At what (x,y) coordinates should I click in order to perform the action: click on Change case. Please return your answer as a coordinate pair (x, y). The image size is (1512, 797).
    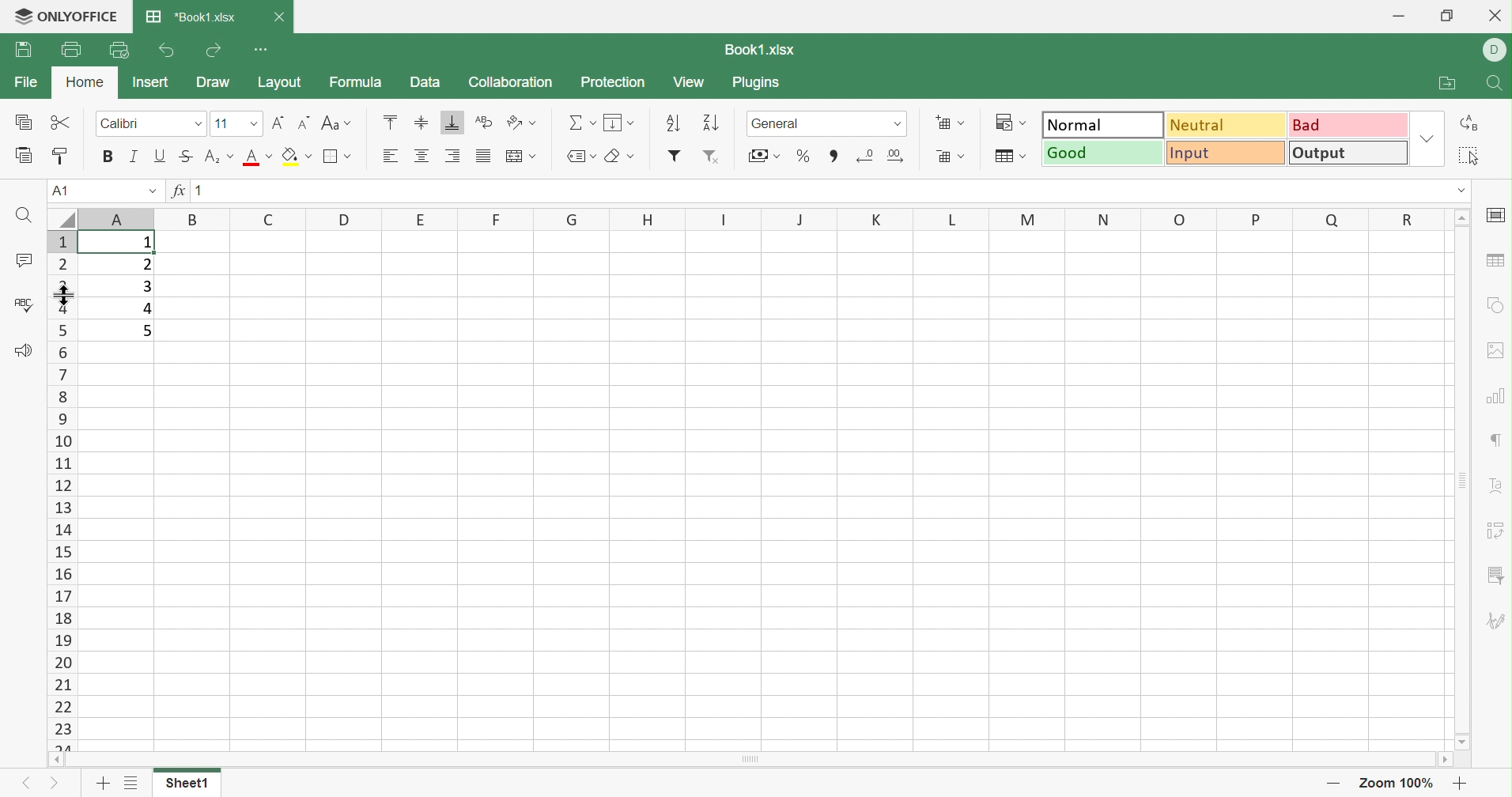
    Looking at the image, I should click on (328, 120).